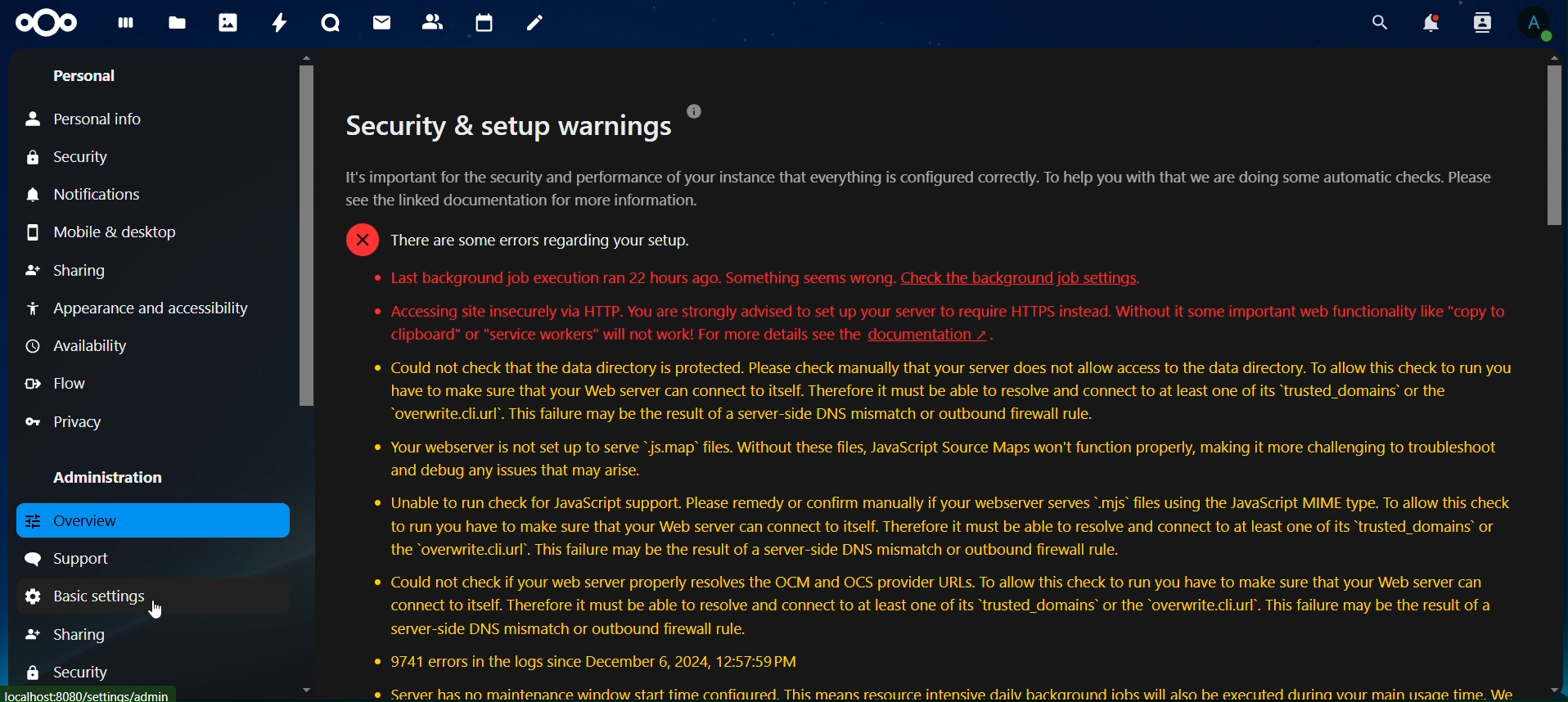 The height and width of the screenshot is (702, 1568). I want to click on dashboard, so click(126, 27).